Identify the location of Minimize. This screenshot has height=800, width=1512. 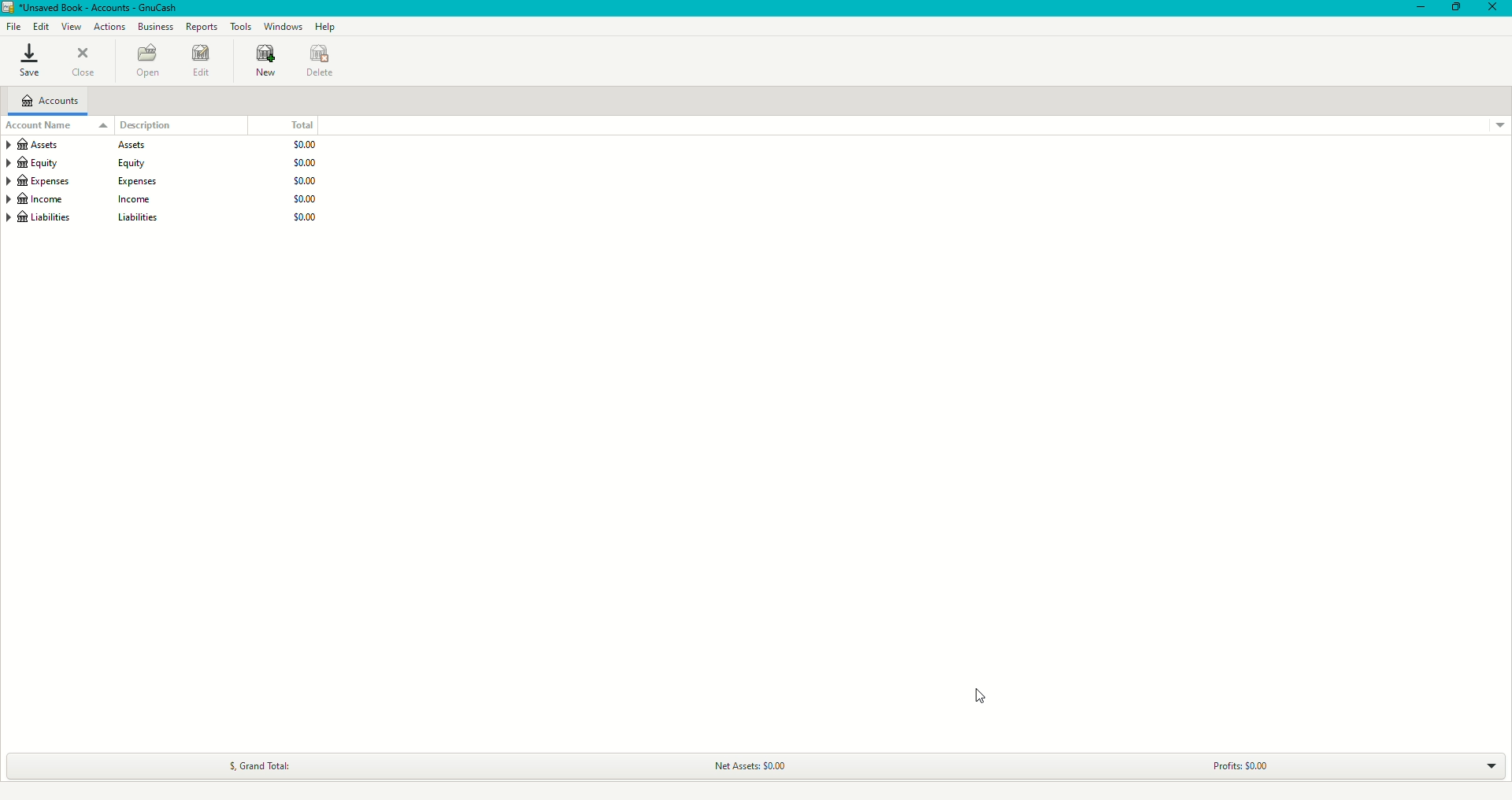
(1421, 9).